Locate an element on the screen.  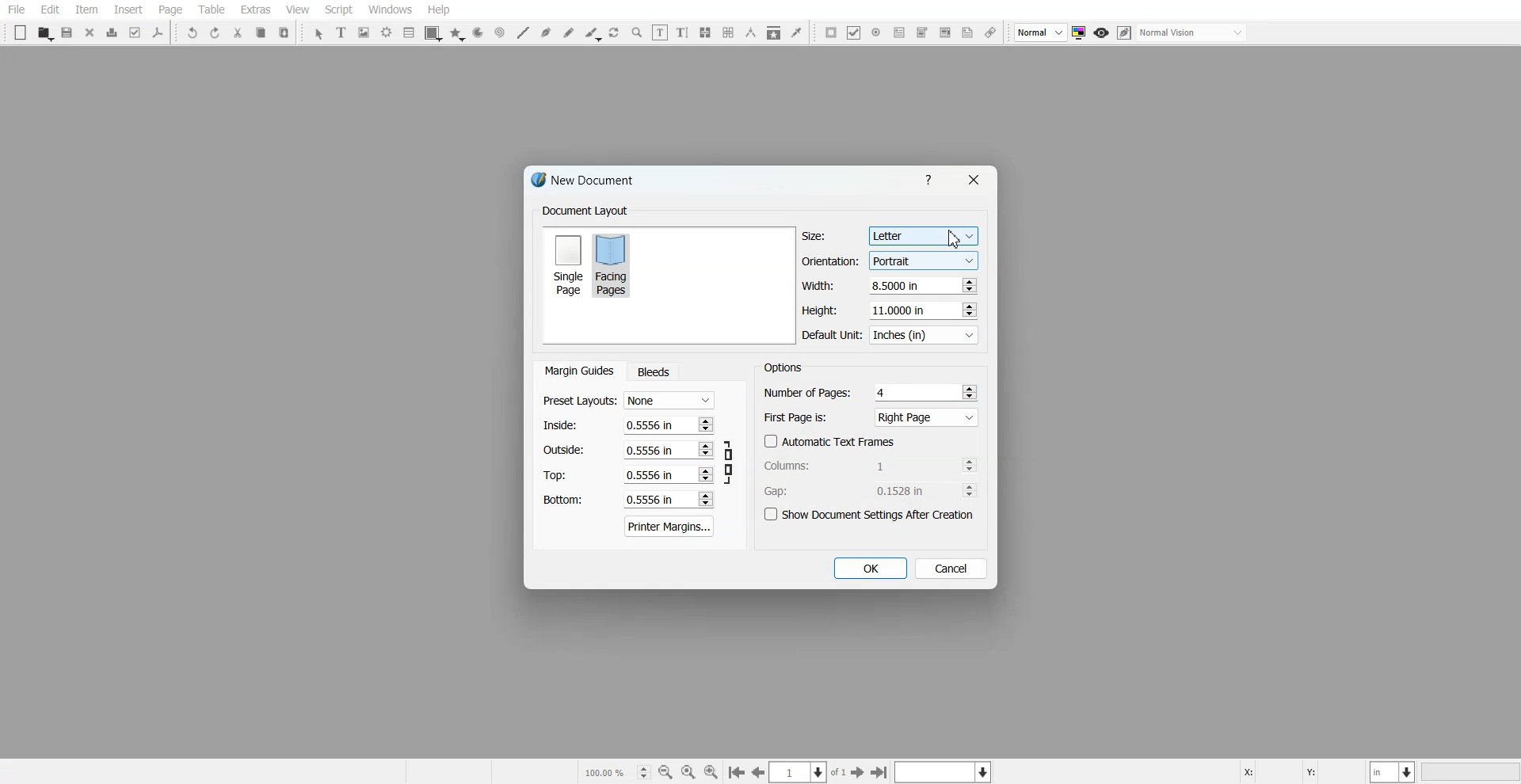
Polygon is located at coordinates (457, 34).